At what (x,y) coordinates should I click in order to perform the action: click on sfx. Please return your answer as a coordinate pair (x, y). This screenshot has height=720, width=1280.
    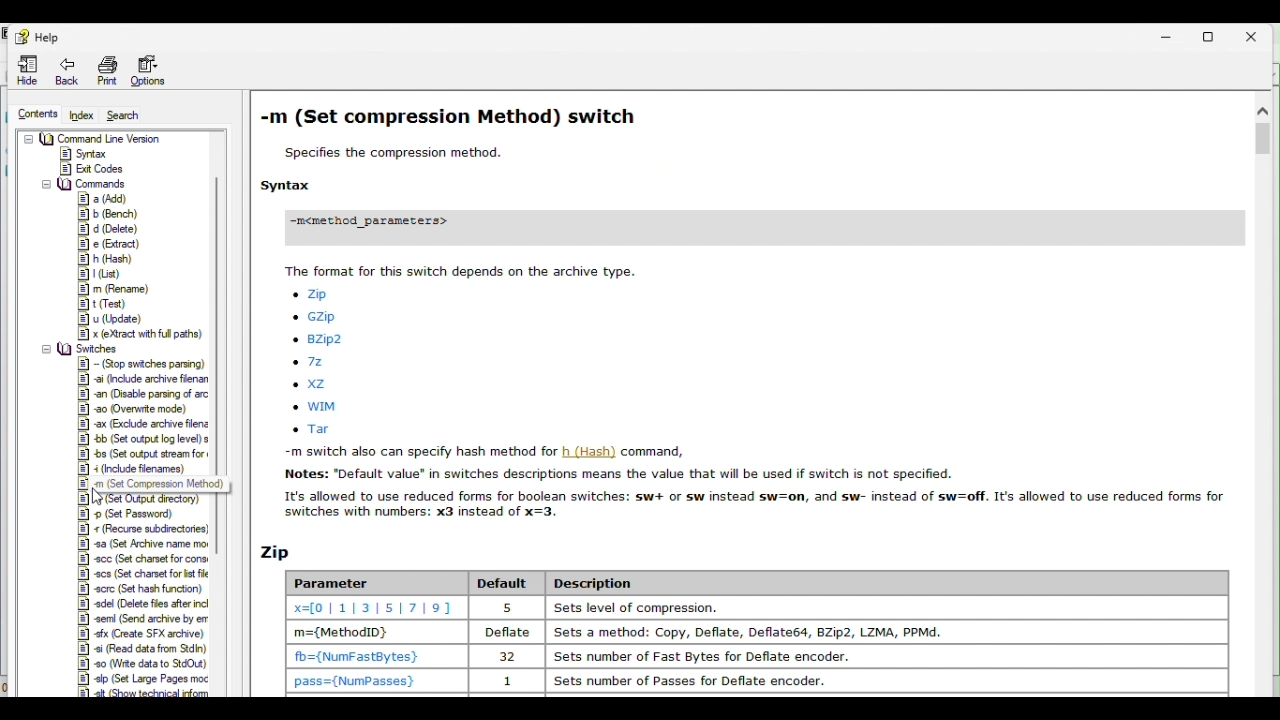
    Looking at the image, I should click on (140, 634).